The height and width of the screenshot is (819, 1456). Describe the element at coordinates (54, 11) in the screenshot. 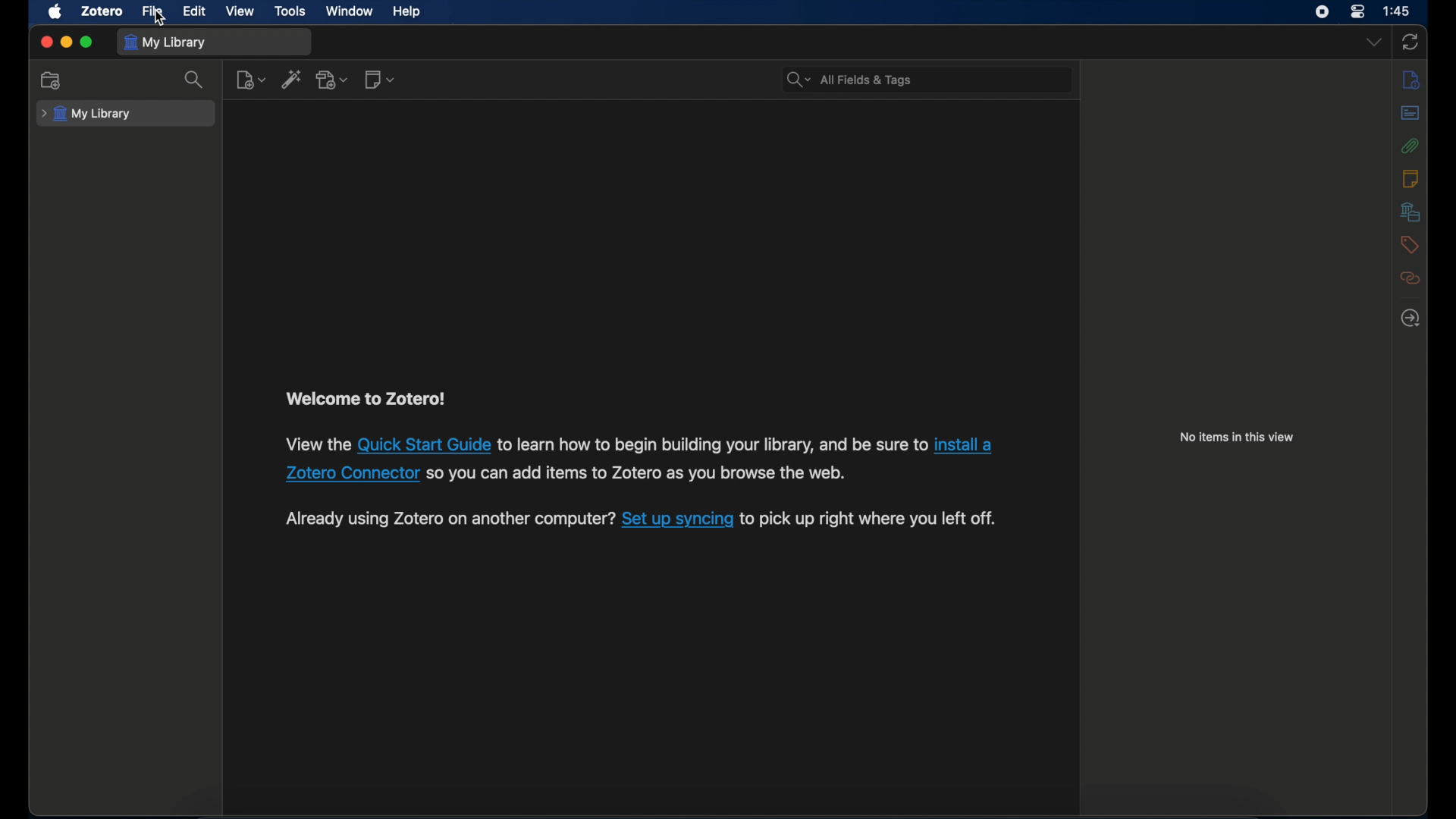

I see `apple logo` at that location.